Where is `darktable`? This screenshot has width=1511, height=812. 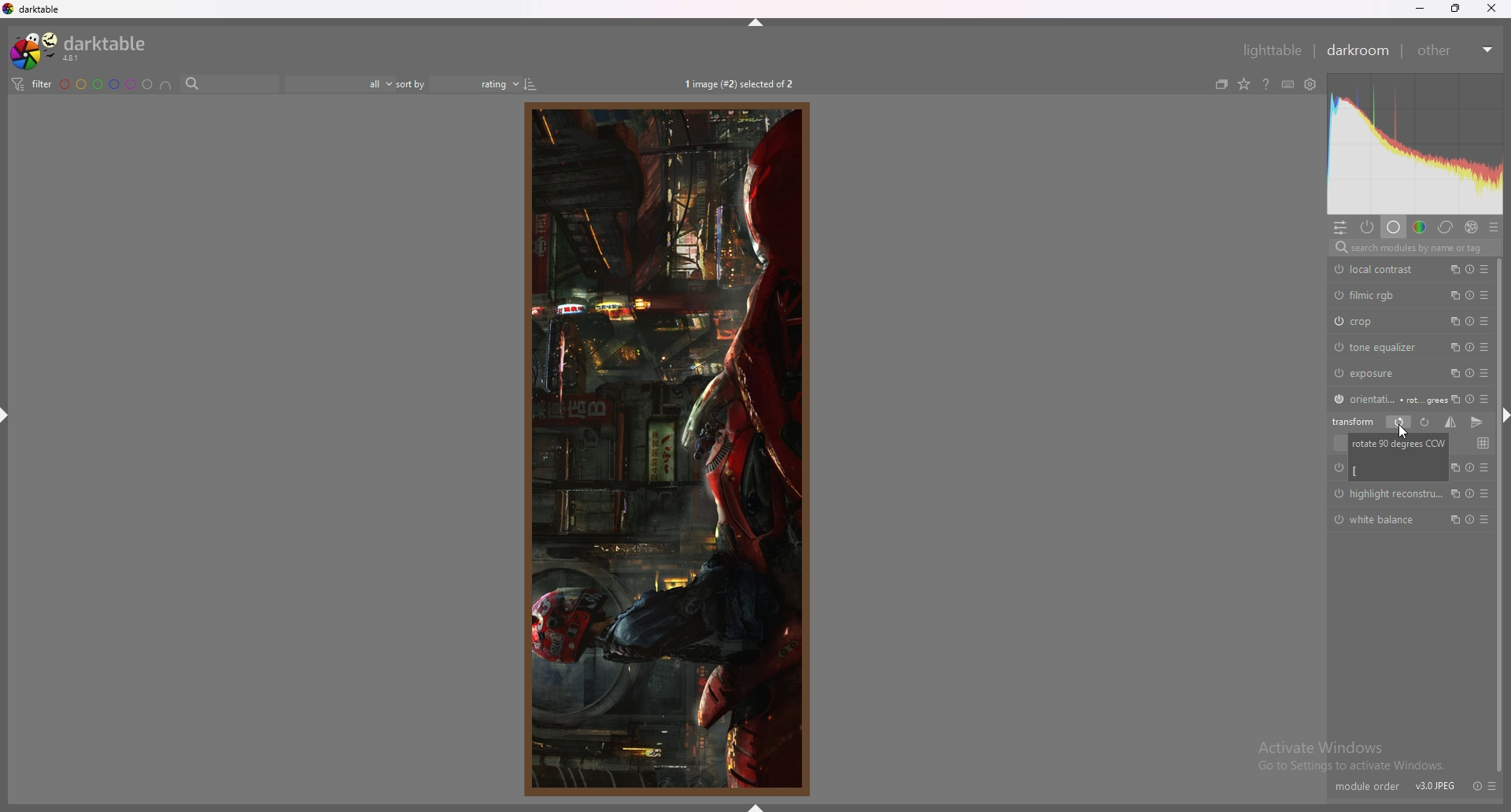 darktable is located at coordinates (40, 9).